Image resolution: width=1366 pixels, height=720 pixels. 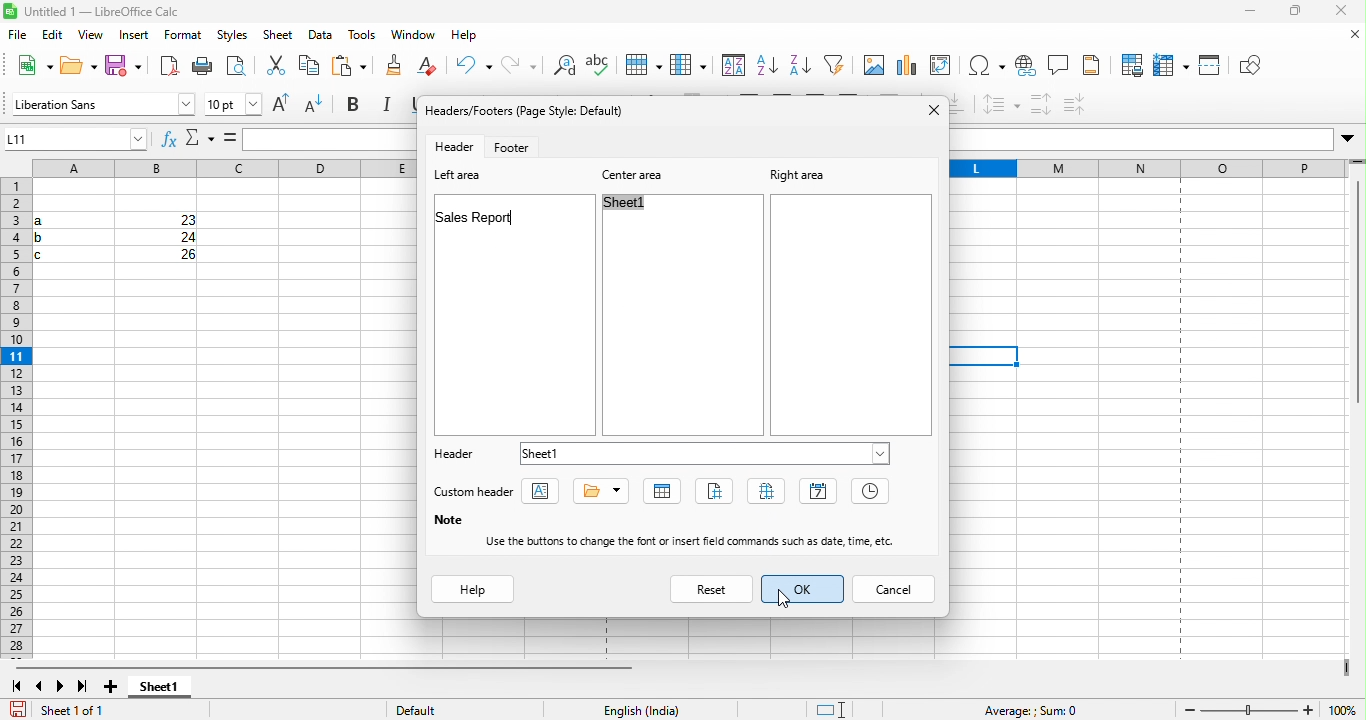 I want to click on tools, so click(x=360, y=38).